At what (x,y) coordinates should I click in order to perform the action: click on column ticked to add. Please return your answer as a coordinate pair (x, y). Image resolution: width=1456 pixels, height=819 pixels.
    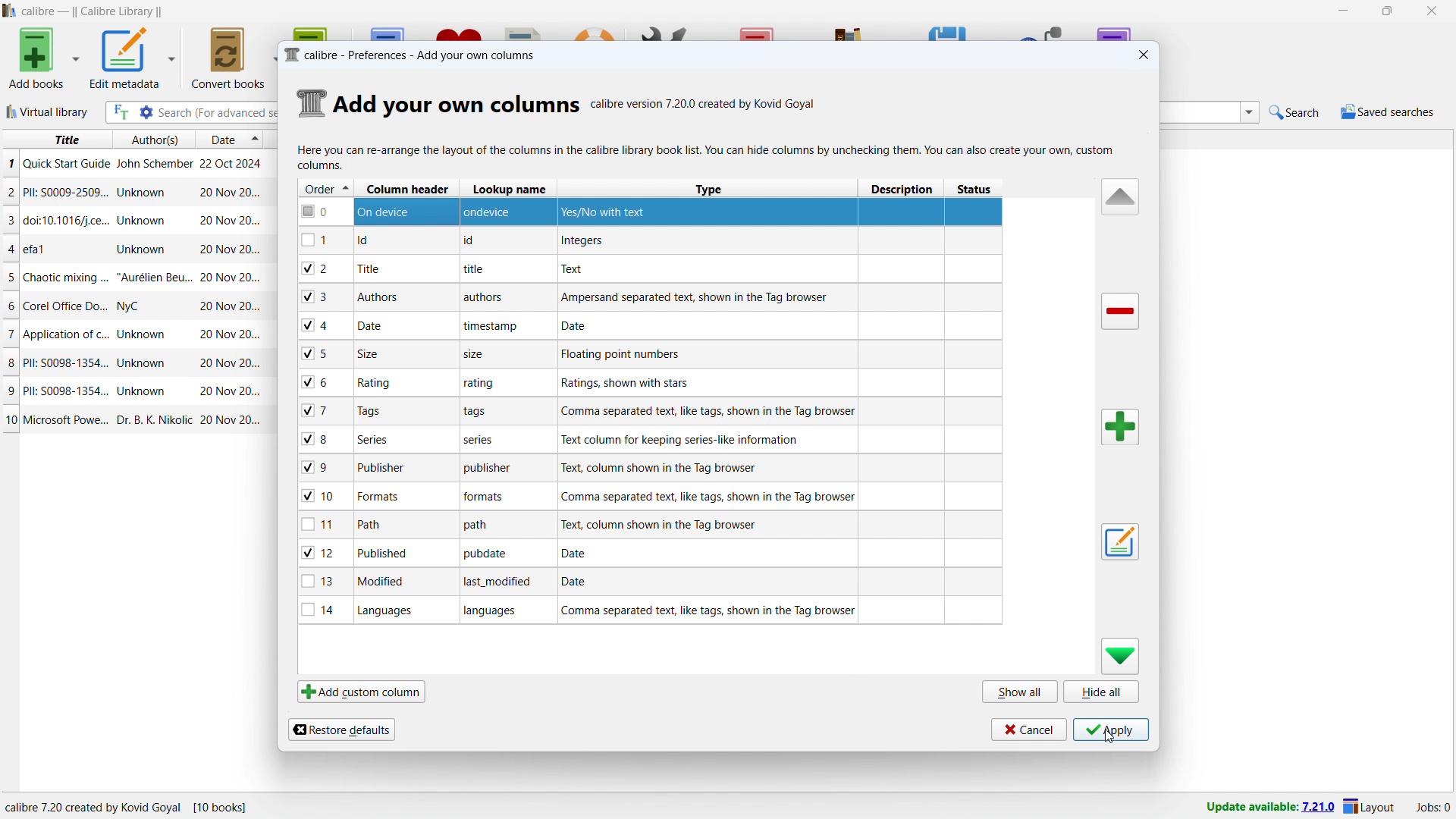
    Looking at the image, I should click on (311, 497).